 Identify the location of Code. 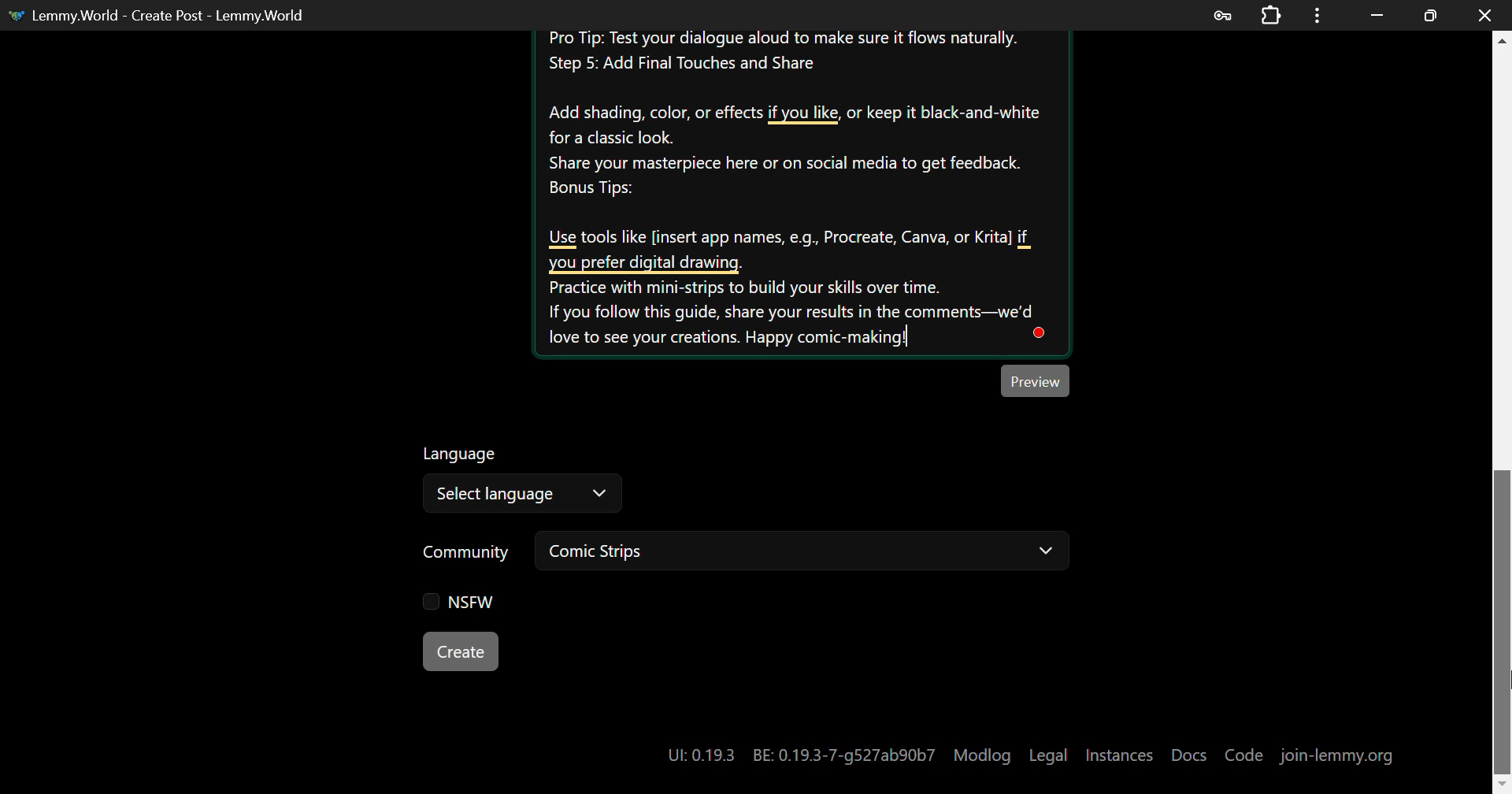
(1247, 755).